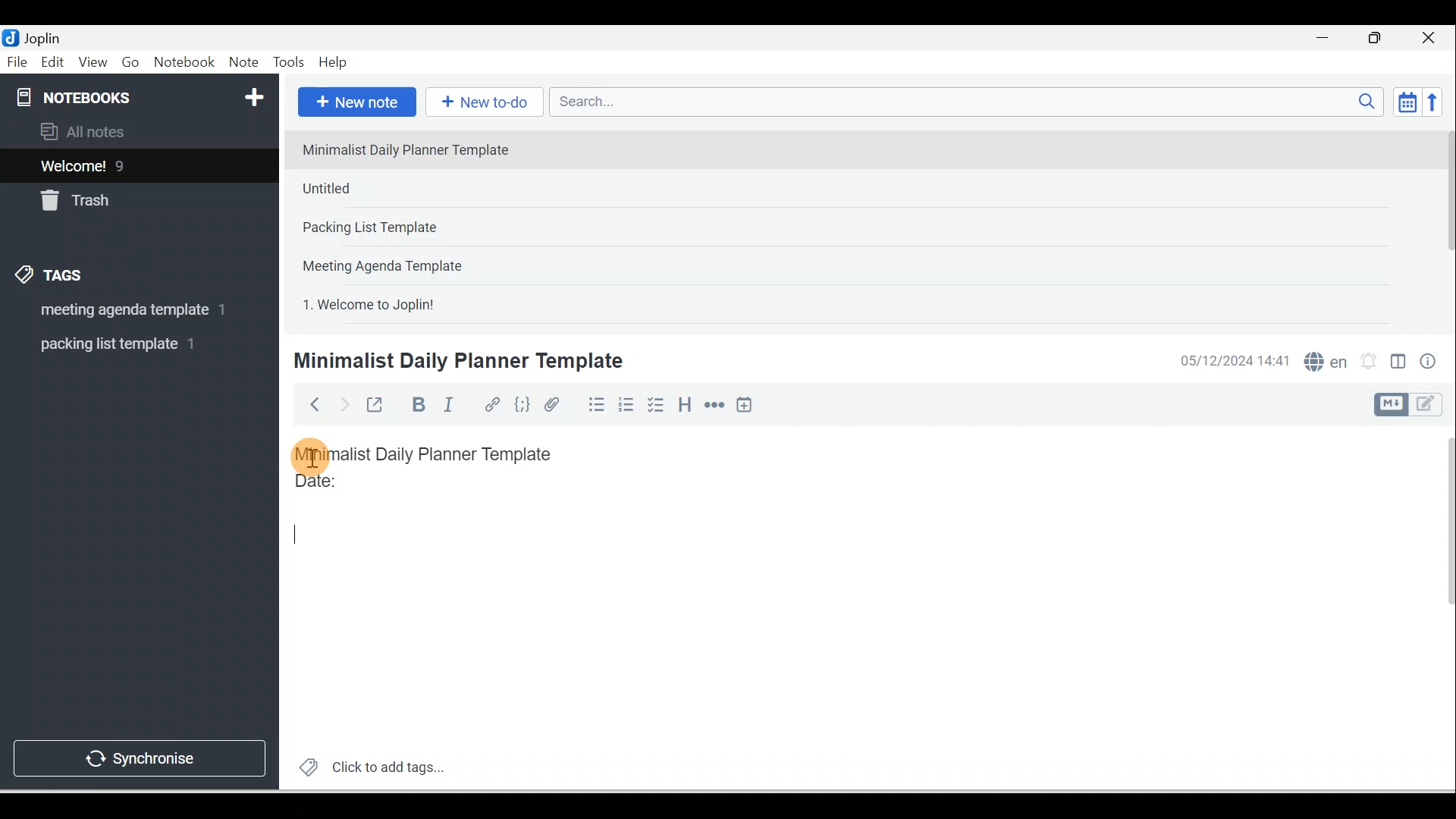 The image size is (1456, 819). Describe the element at coordinates (1323, 359) in the screenshot. I see `Spelling` at that location.